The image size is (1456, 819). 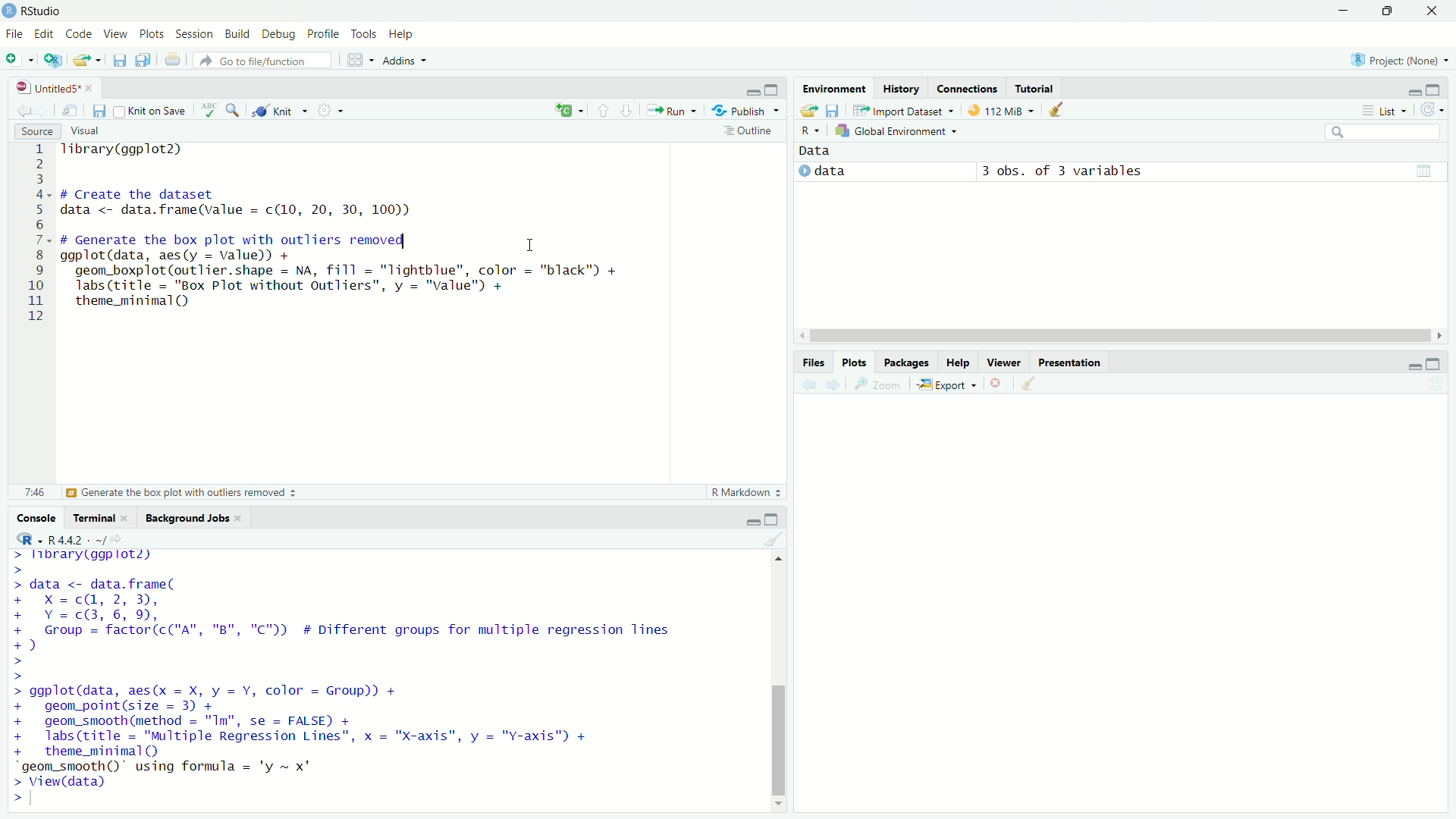 I want to click on Plots, so click(x=849, y=362).